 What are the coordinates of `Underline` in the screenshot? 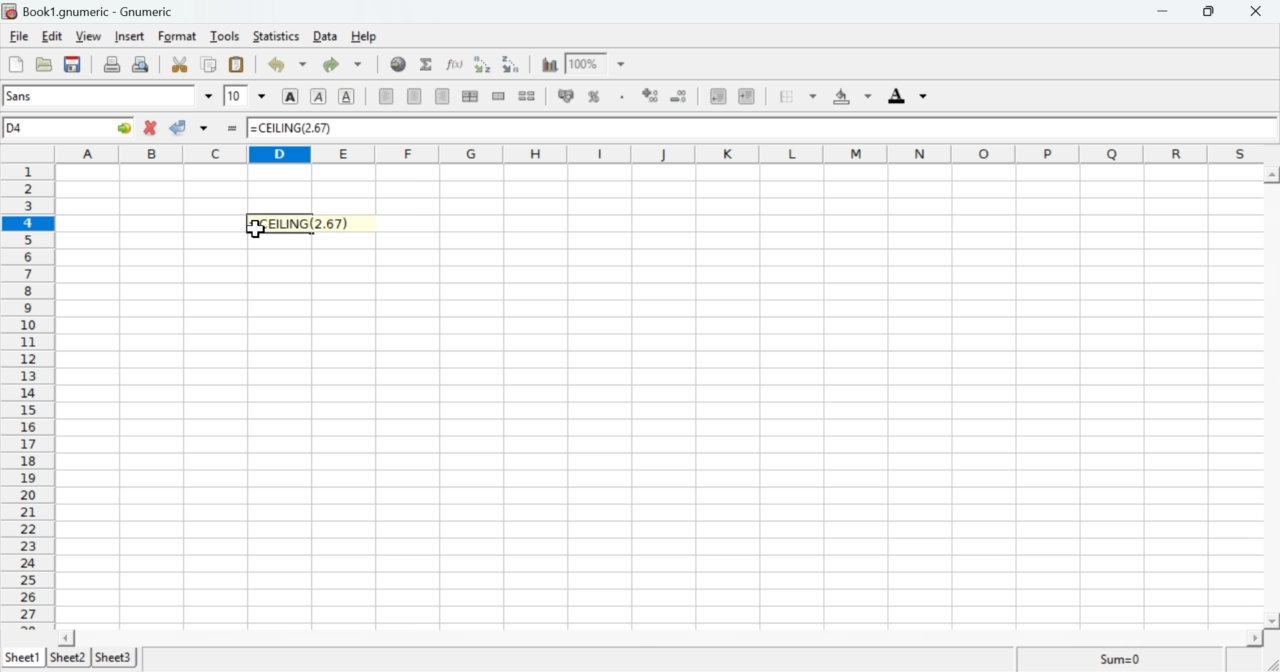 It's located at (348, 97).